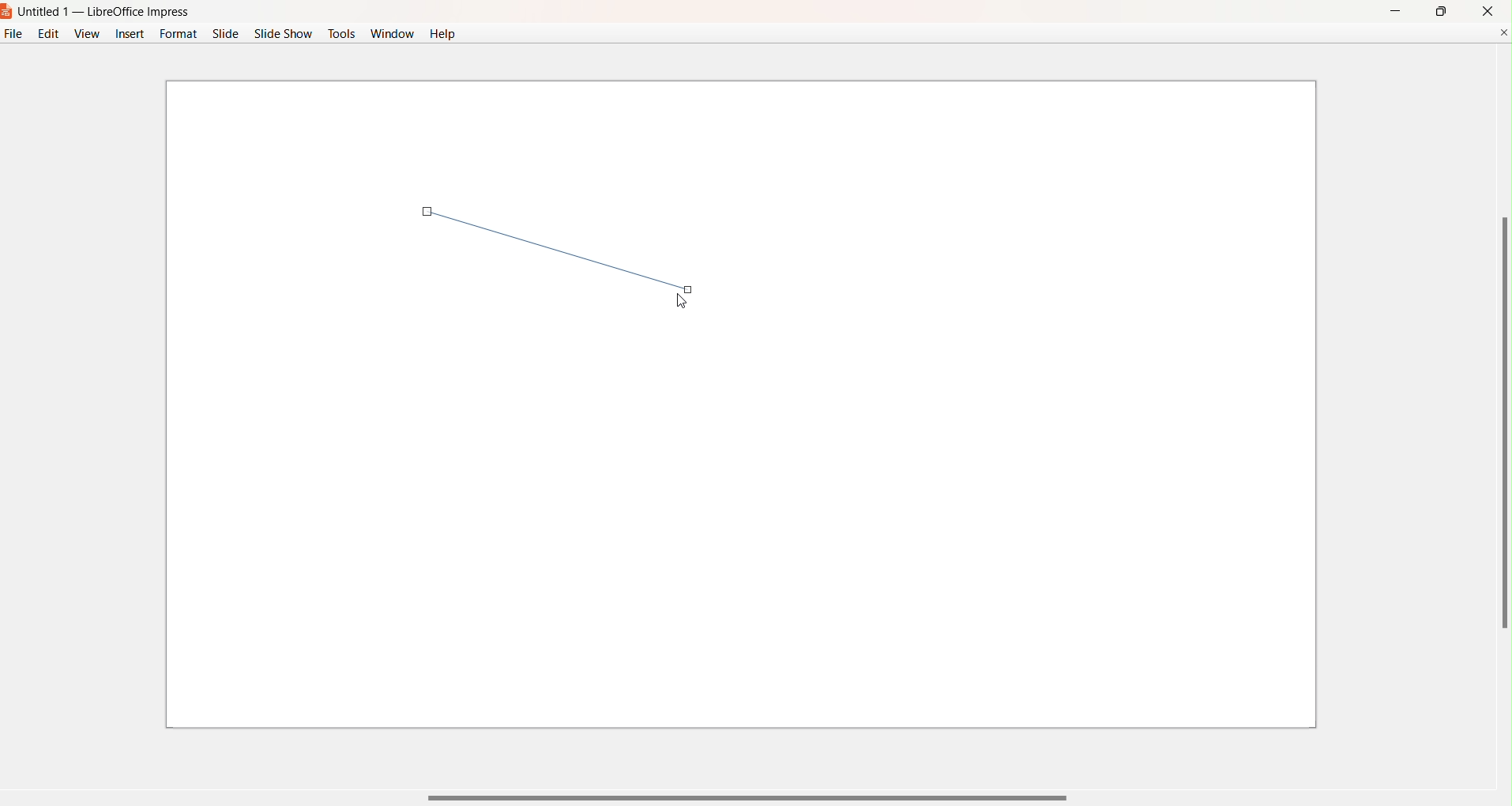  Describe the element at coordinates (1440, 11) in the screenshot. I see `maximize` at that location.